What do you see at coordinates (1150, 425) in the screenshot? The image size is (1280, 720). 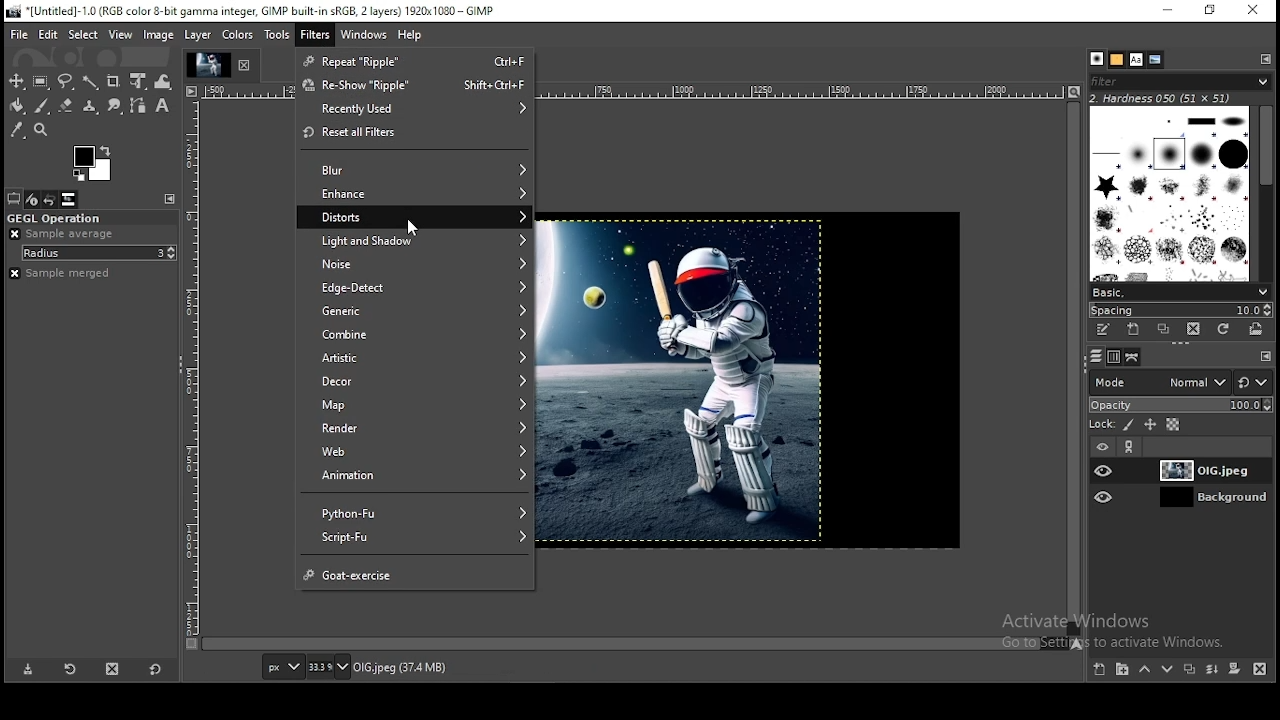 I see `lock position and size` at bounding box center [1150, 425].